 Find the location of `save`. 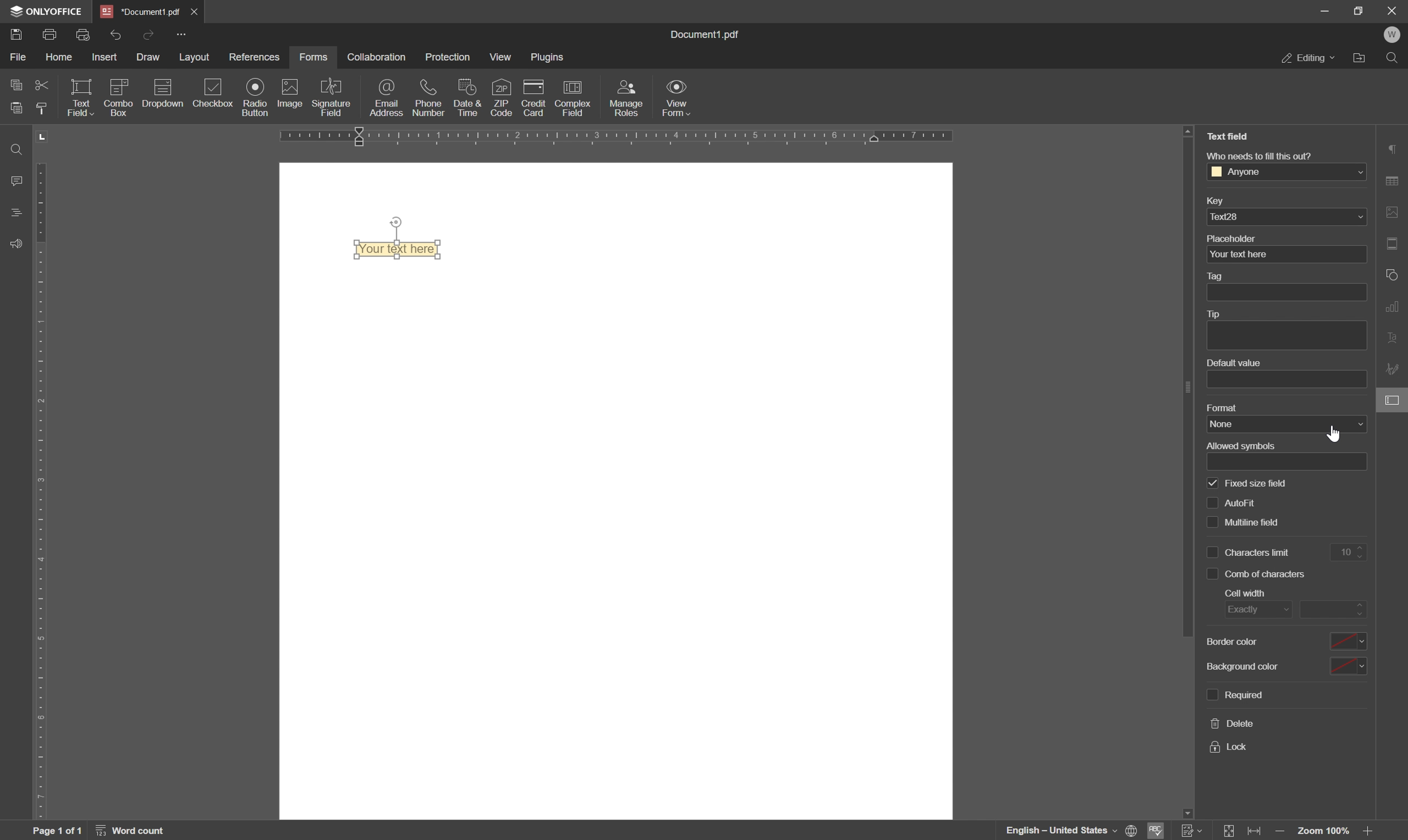

save is located at coordinates (15, 35).